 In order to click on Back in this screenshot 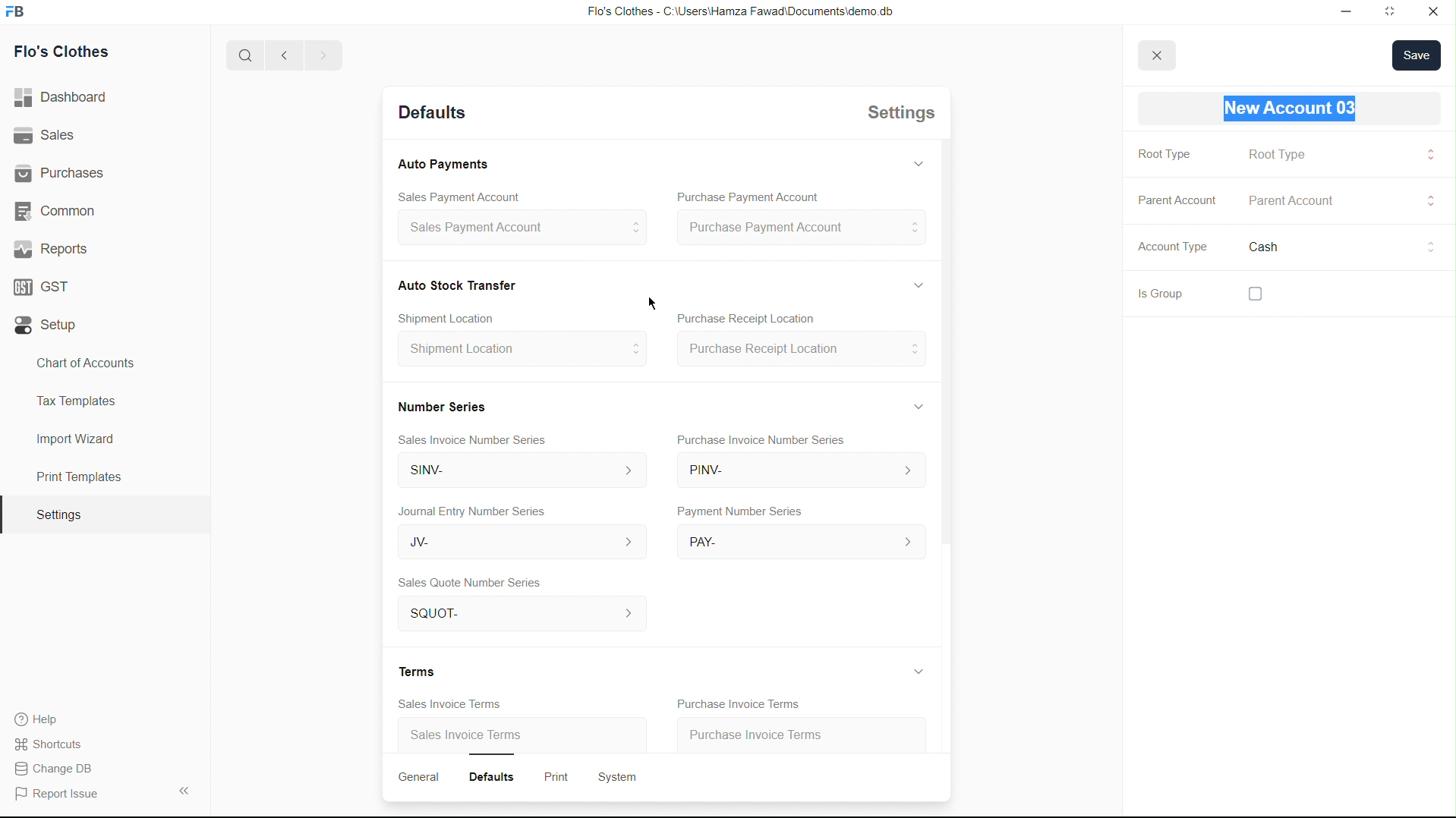, I will do `click(279, 56)`.